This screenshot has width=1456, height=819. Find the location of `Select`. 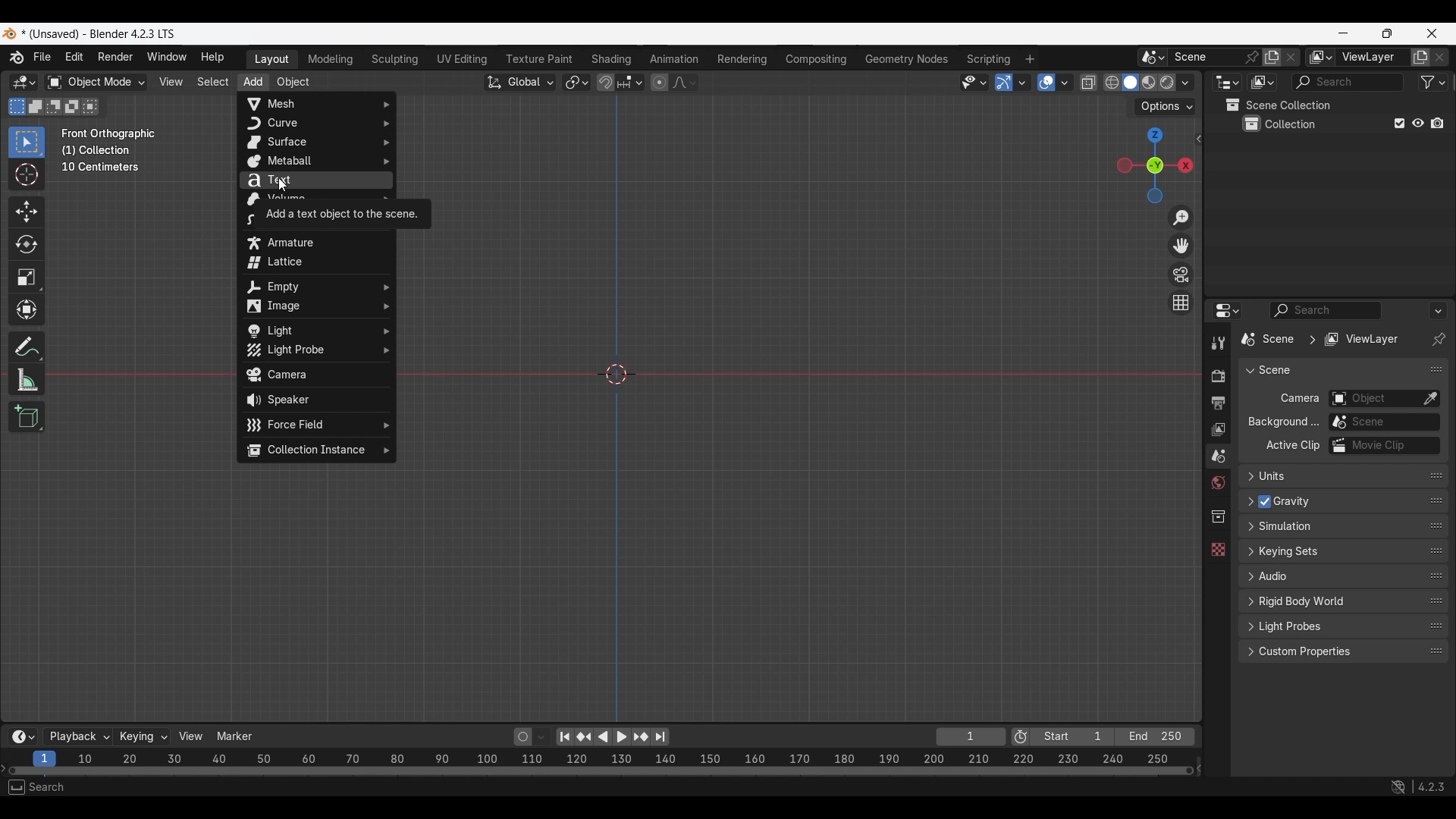

Select is located at coordinates (35, 787).